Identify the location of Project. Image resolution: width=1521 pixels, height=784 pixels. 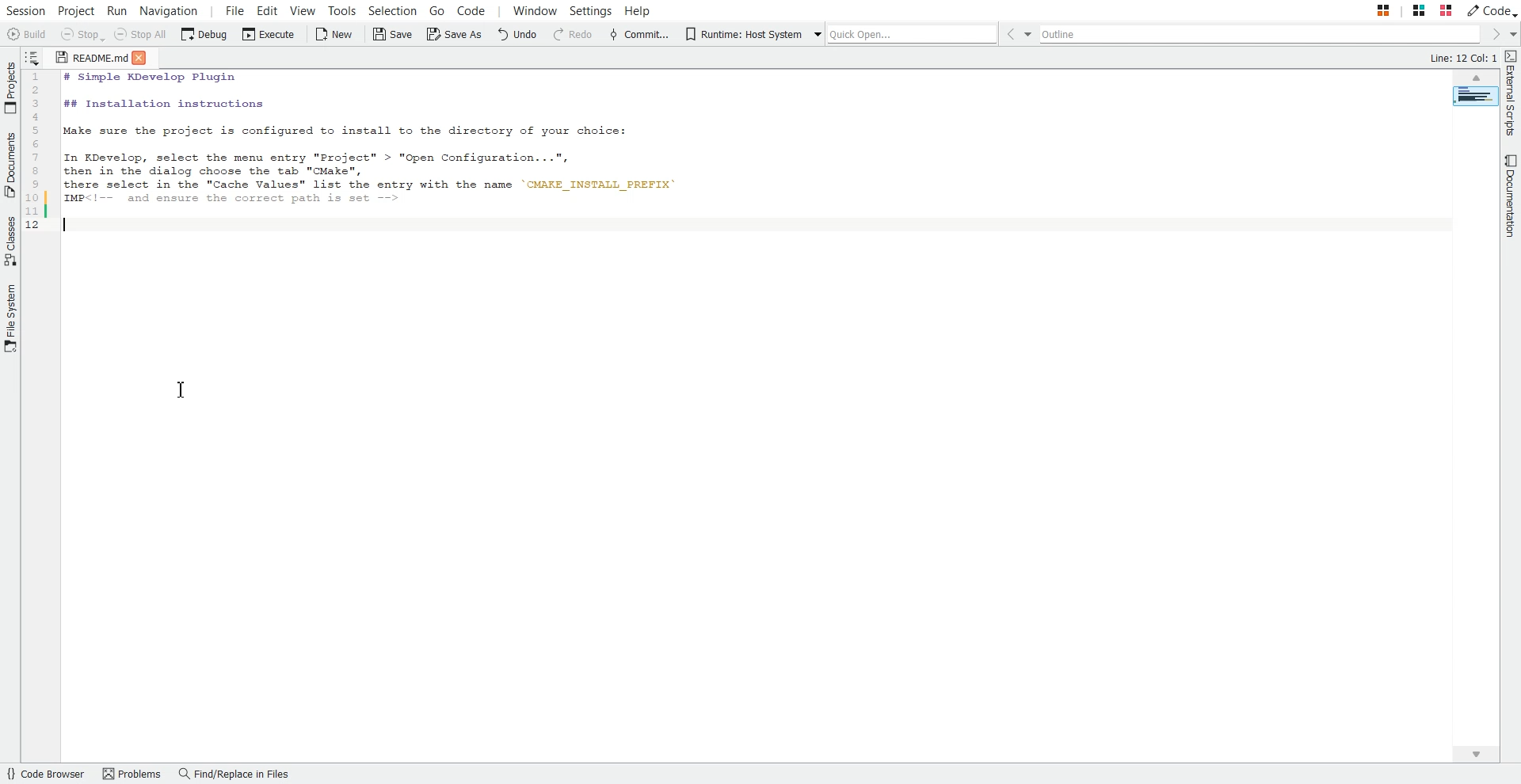
(76, 10).